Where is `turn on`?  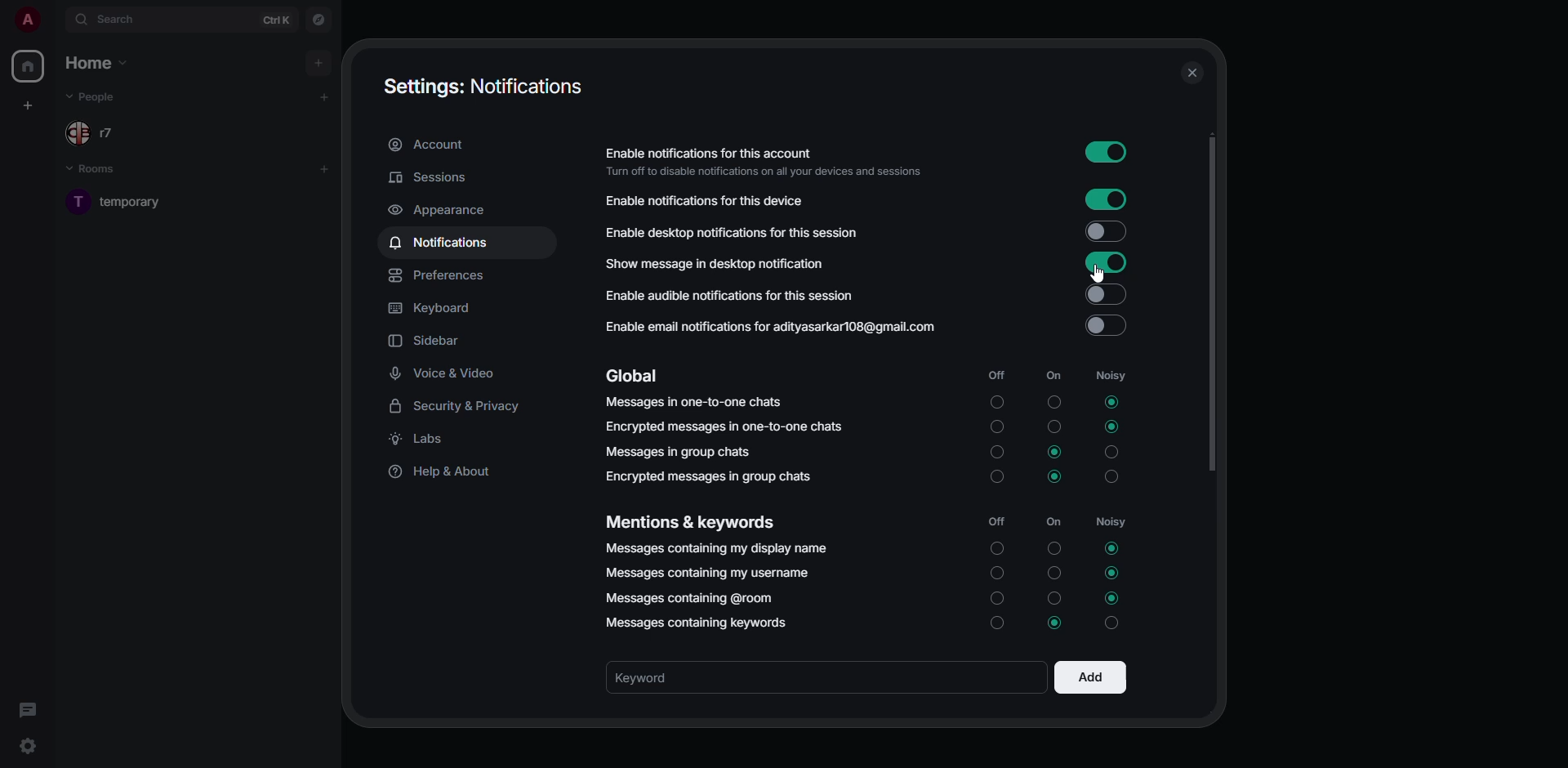
turn on is located at coordinates (996, 548).